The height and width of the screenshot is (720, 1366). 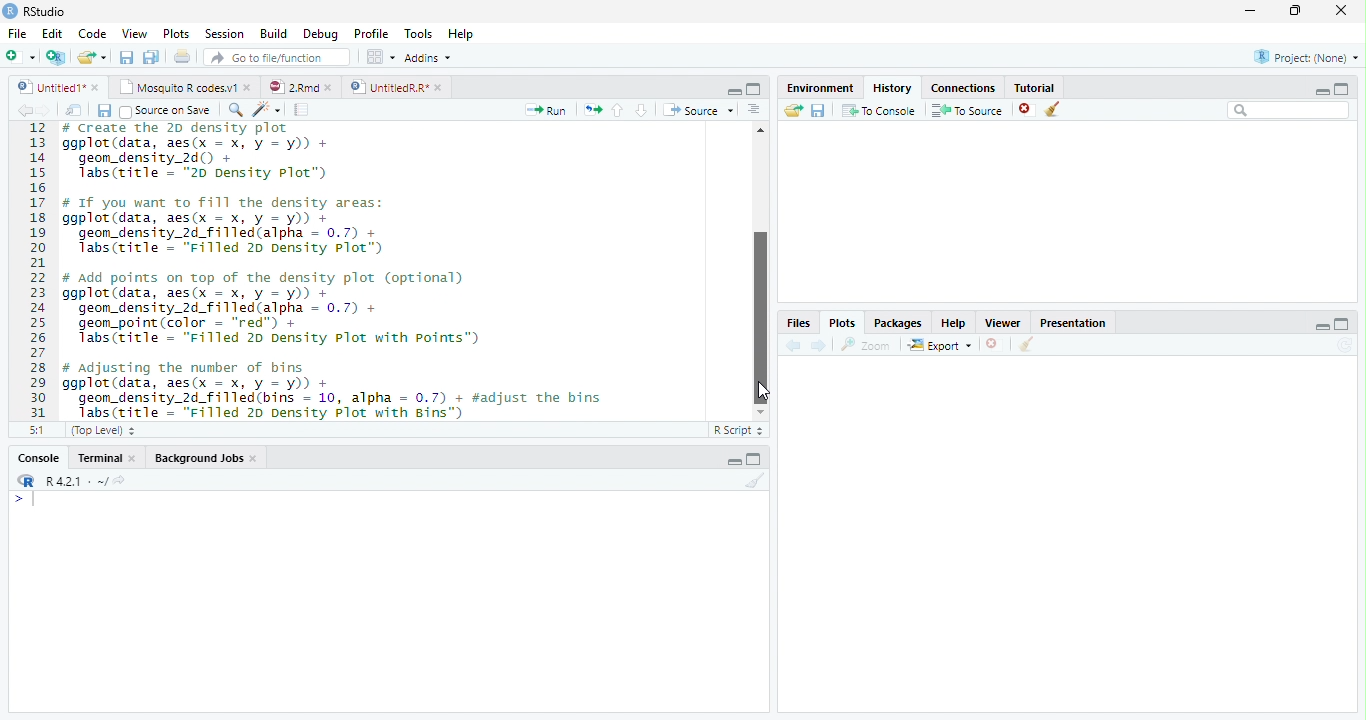 I want to click on save current document, so click(x=125, y=57).